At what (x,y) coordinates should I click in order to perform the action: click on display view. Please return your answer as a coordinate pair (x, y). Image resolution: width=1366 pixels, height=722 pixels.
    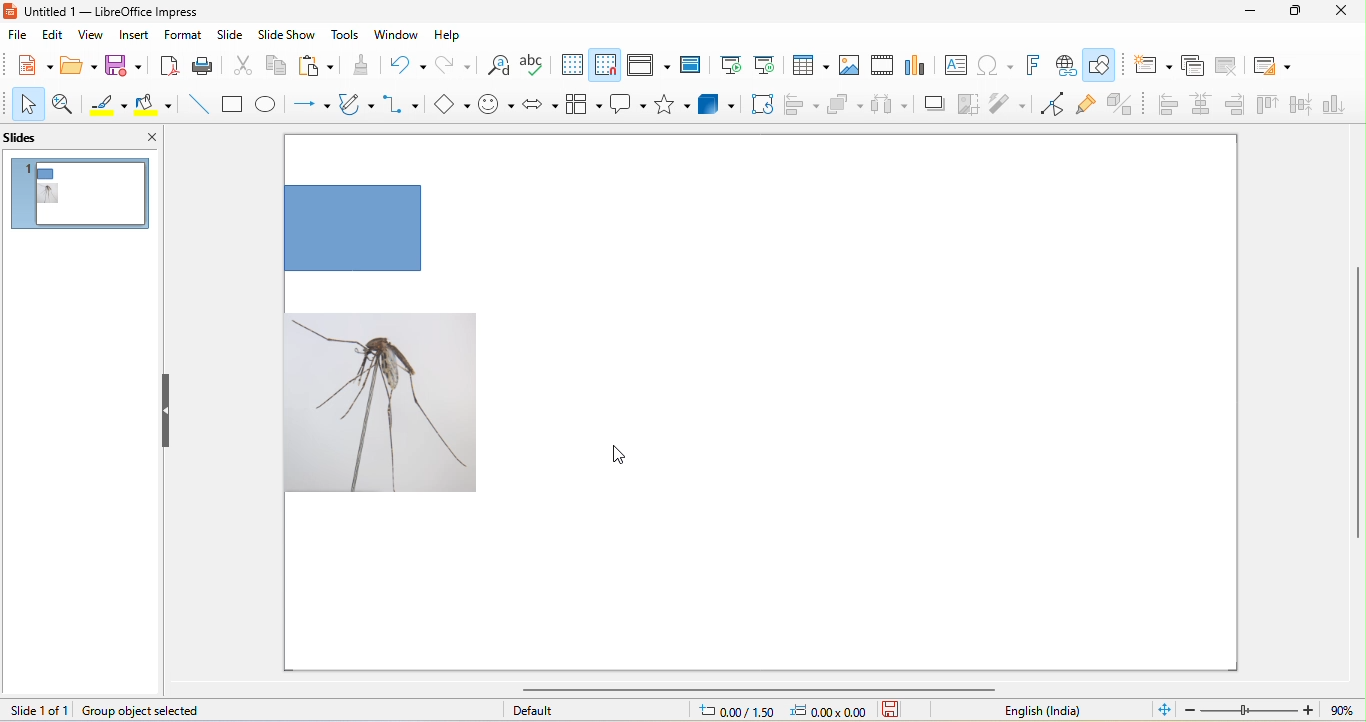
    Looking at the image, I should click on (649, 66).